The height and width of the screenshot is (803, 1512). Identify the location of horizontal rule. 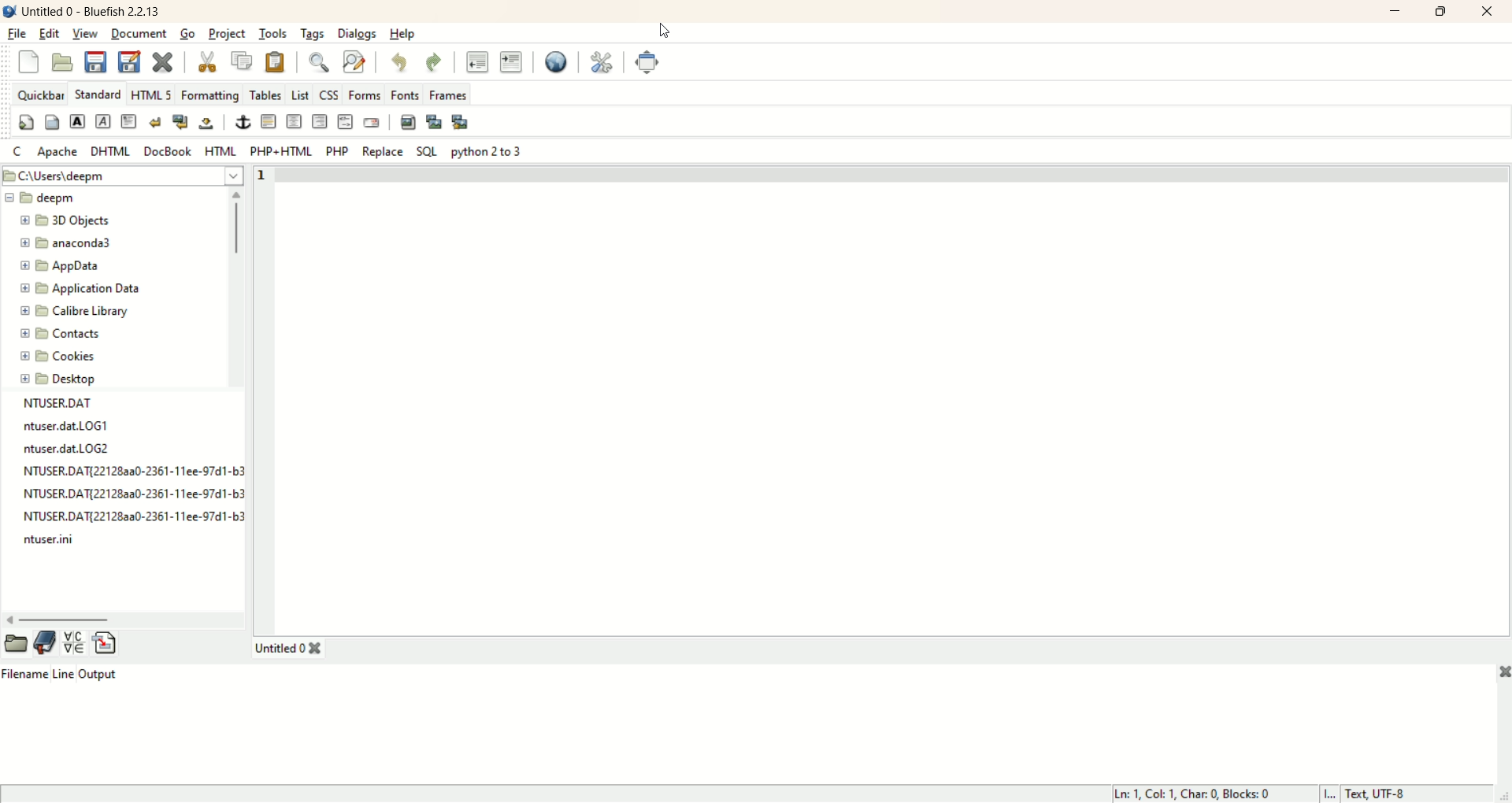
(268, 121).